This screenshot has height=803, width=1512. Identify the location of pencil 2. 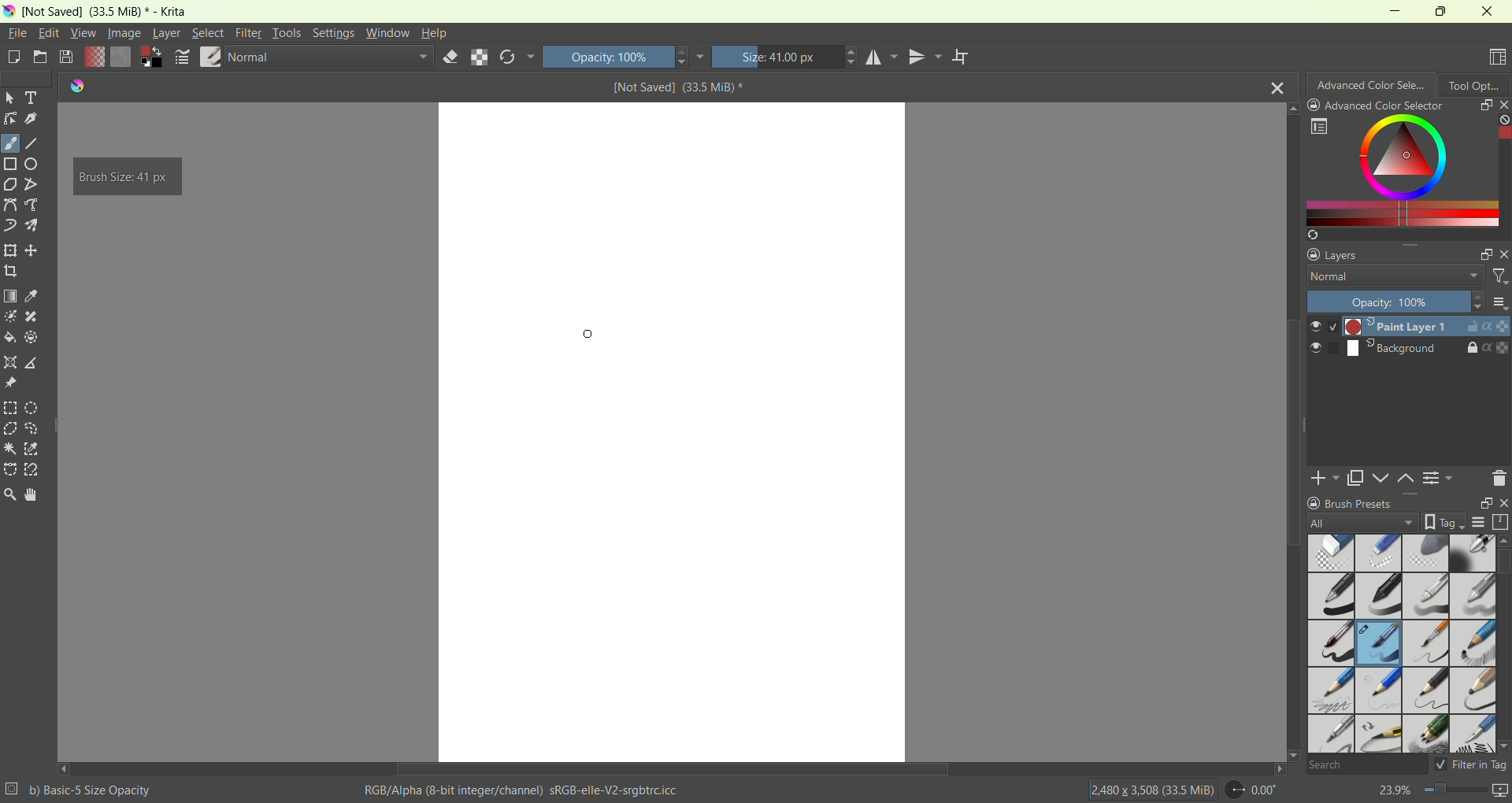
(1426, 691).